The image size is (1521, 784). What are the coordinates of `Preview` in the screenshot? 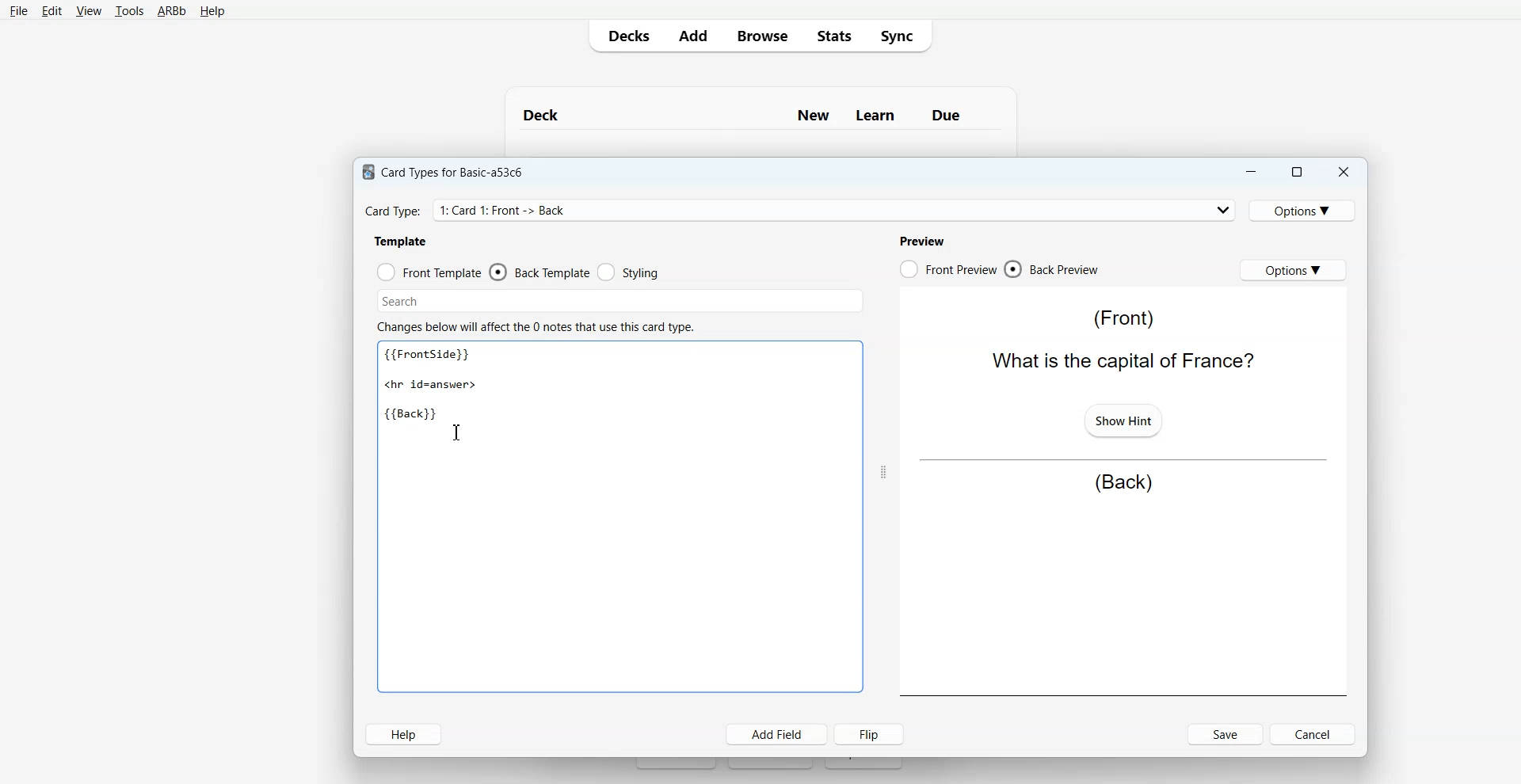 It's located at (921, 241).